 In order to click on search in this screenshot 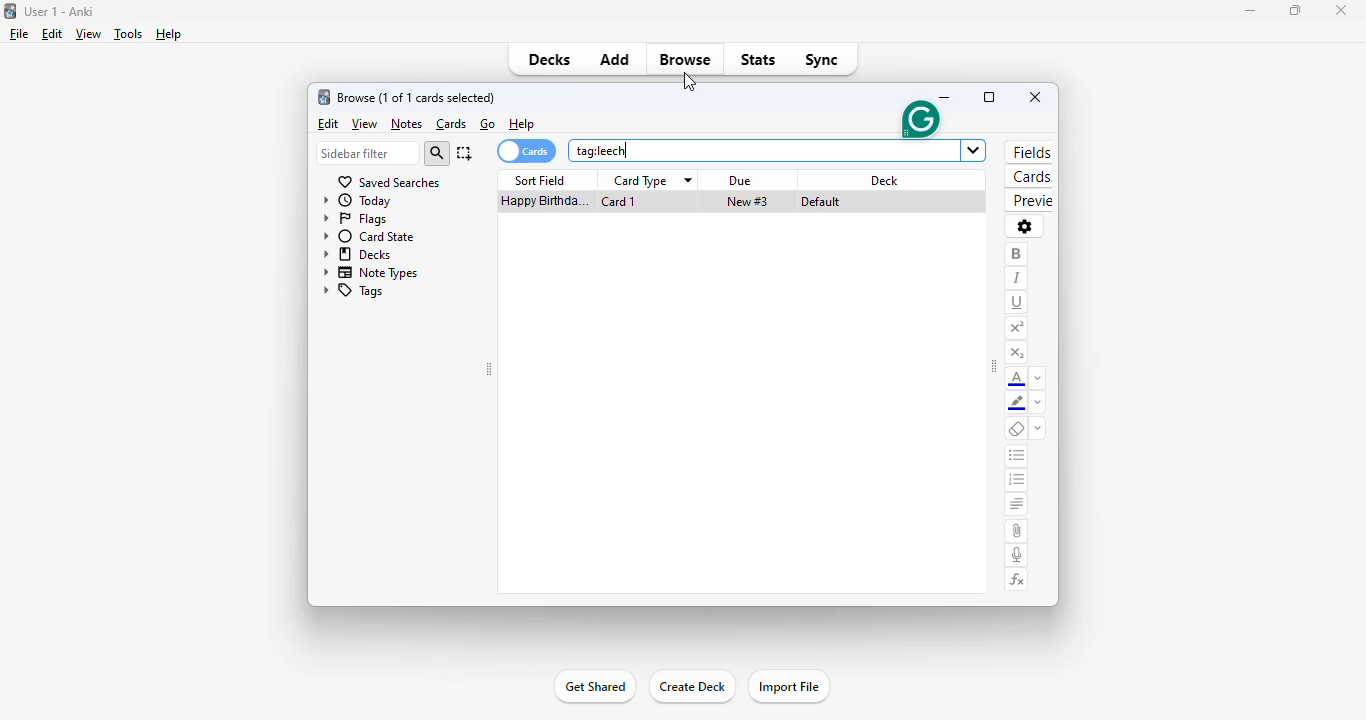, I will do `click(437, 153)`.